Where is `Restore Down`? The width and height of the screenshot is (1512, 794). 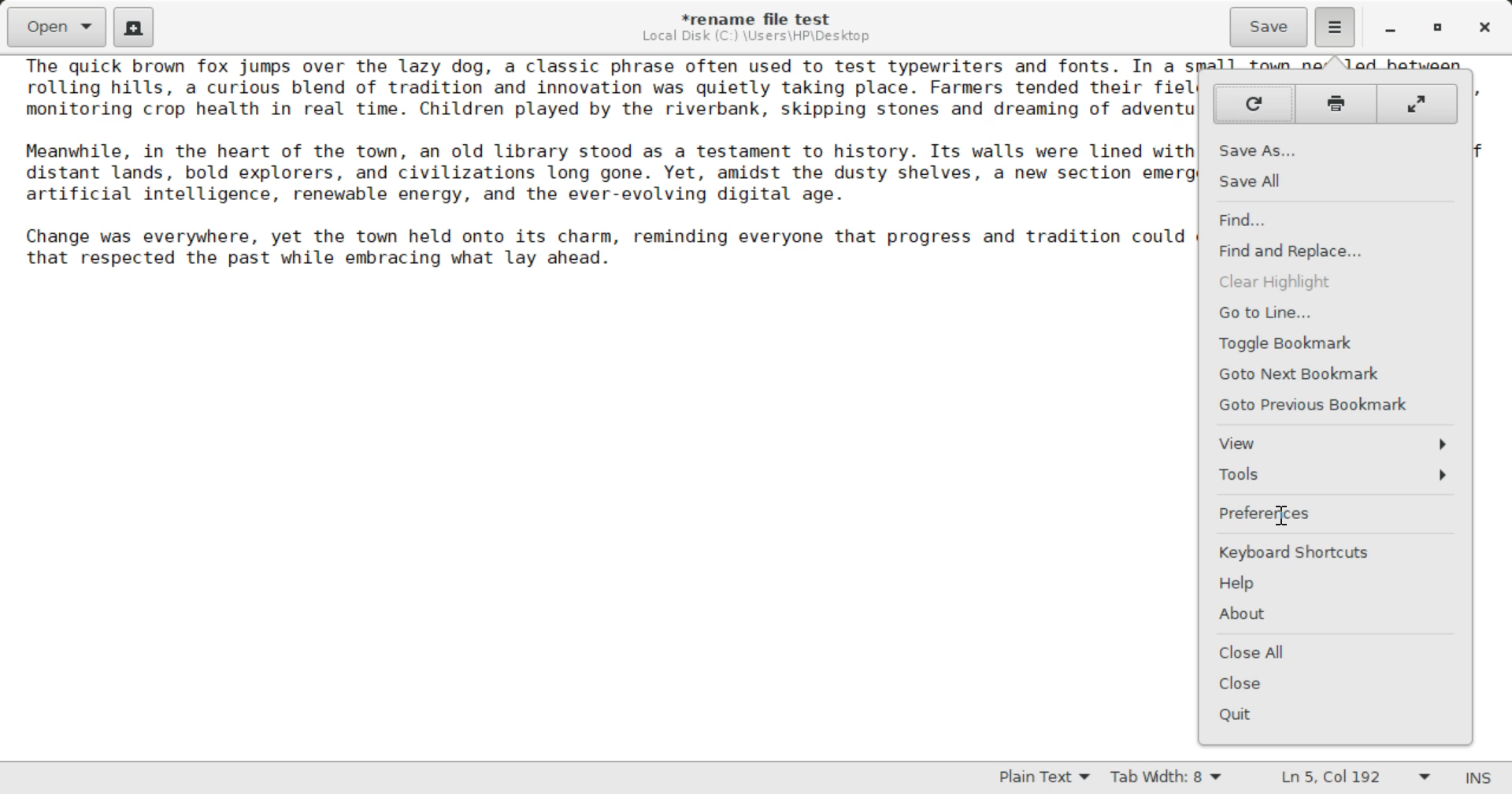
Restore Down is located at coordinates (1388, 28).